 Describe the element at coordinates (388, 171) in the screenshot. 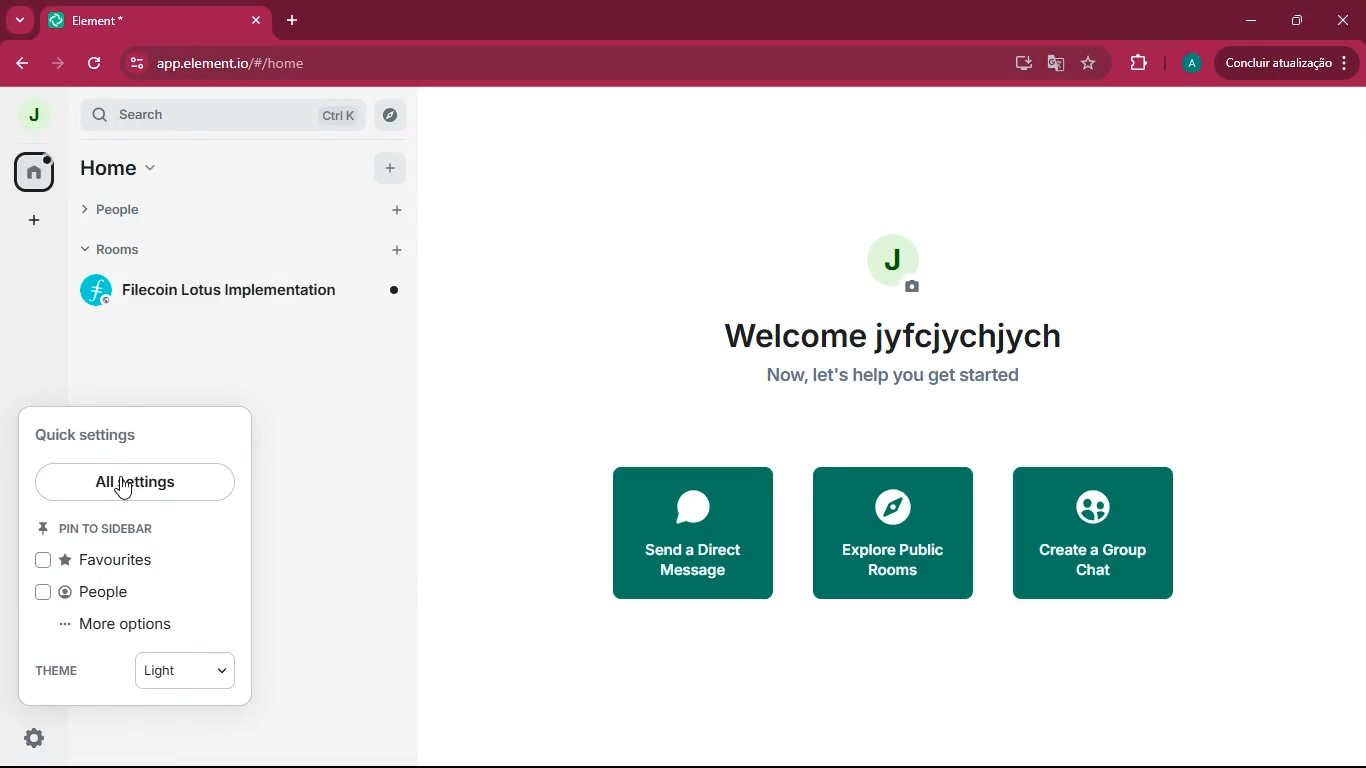

I see `Add` at that location.